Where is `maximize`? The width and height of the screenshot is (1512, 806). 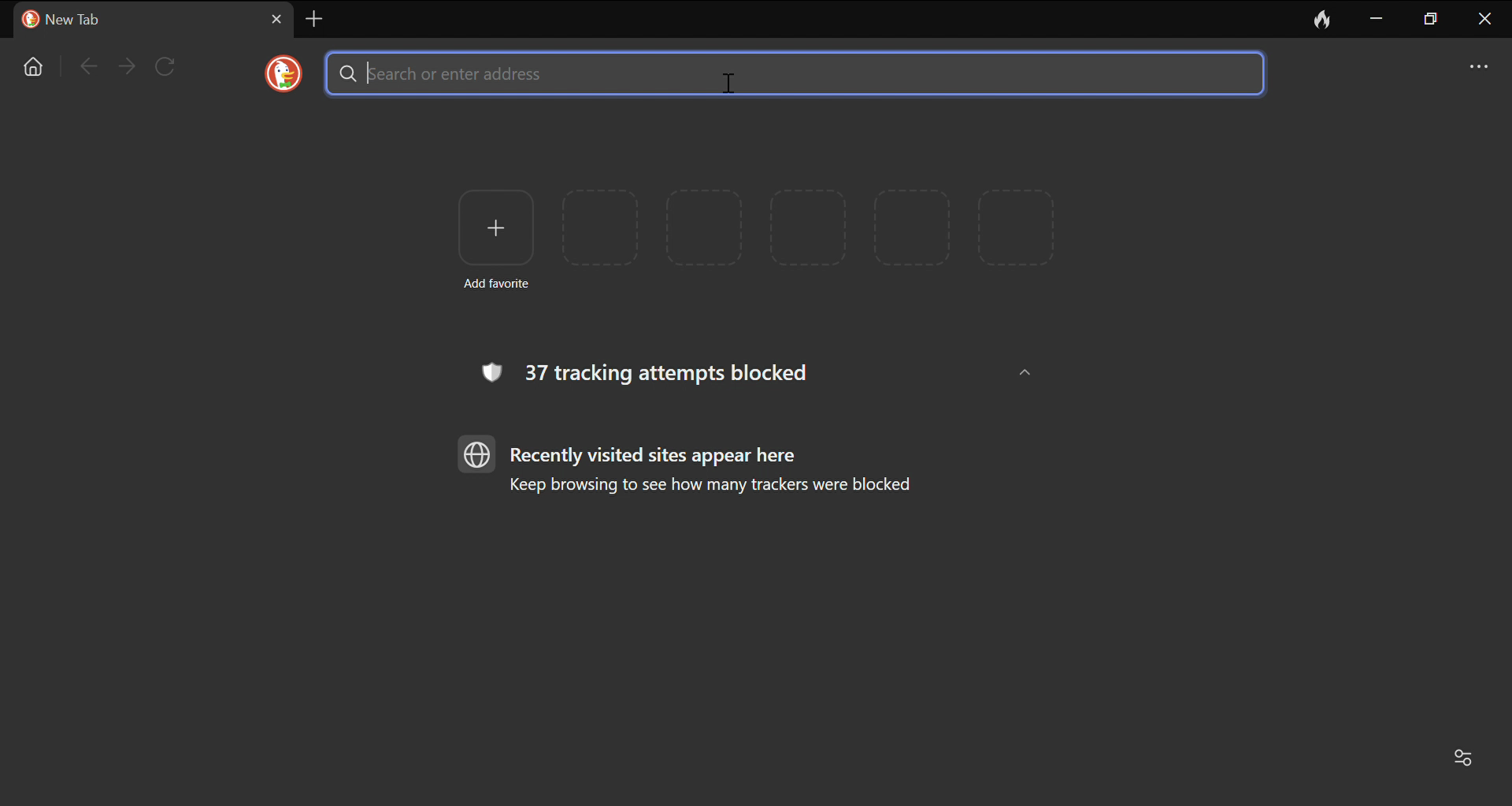 maximize is located at coordinates (1432, 20).